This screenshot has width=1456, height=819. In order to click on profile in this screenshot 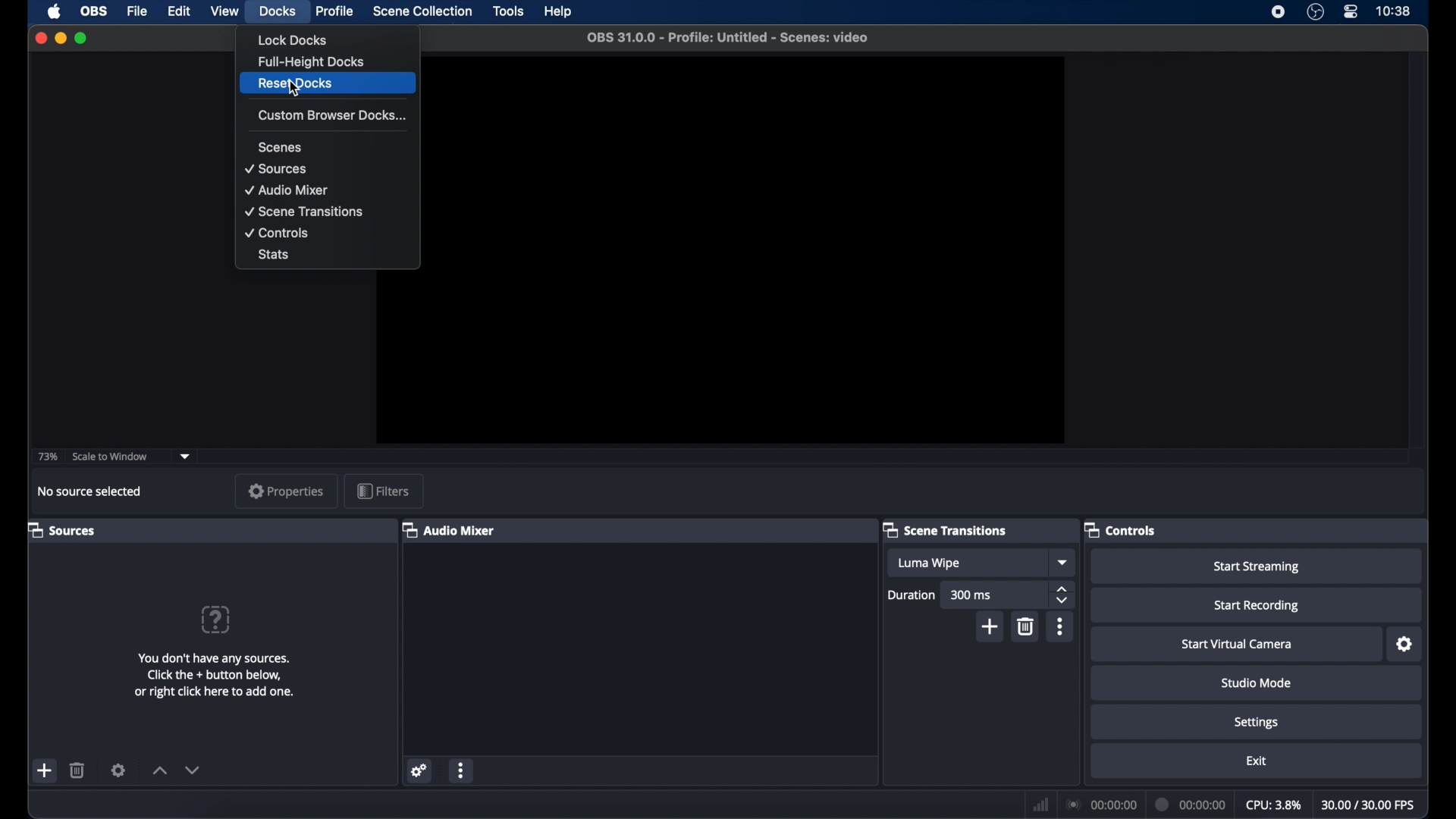, I will do `click(335, 11)`.